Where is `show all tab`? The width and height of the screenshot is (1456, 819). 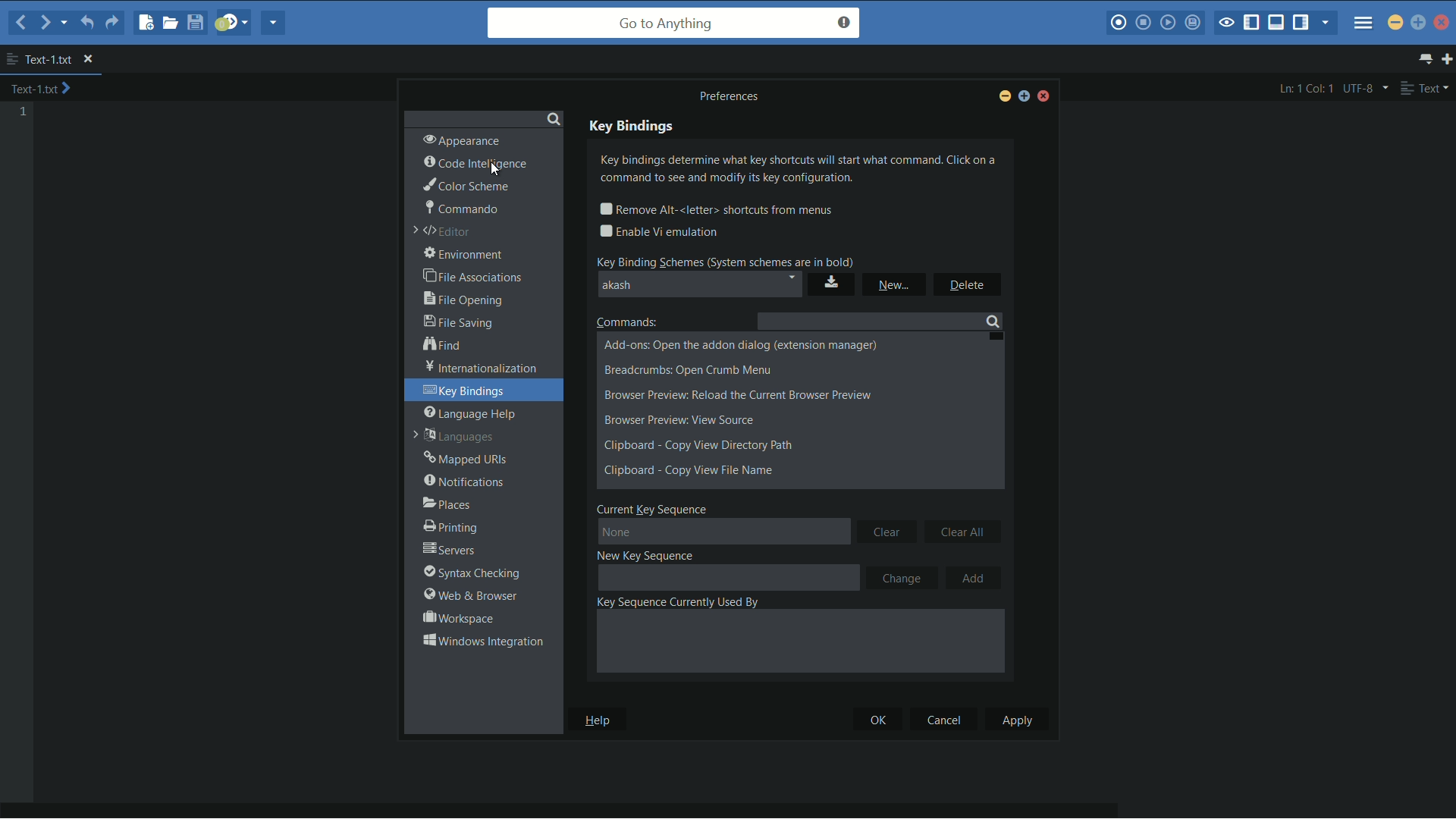 show all tab is located at coordinates (1427, 59).